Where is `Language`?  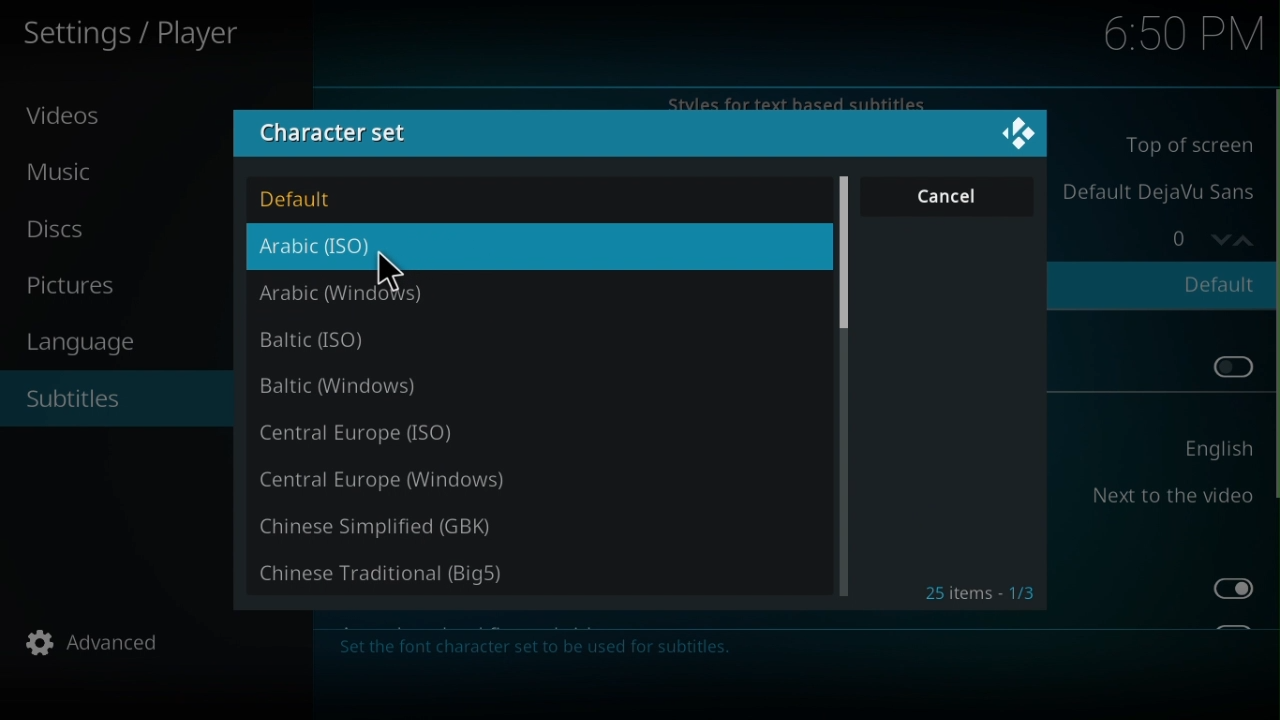
Language is located at coordinates (73, 341).